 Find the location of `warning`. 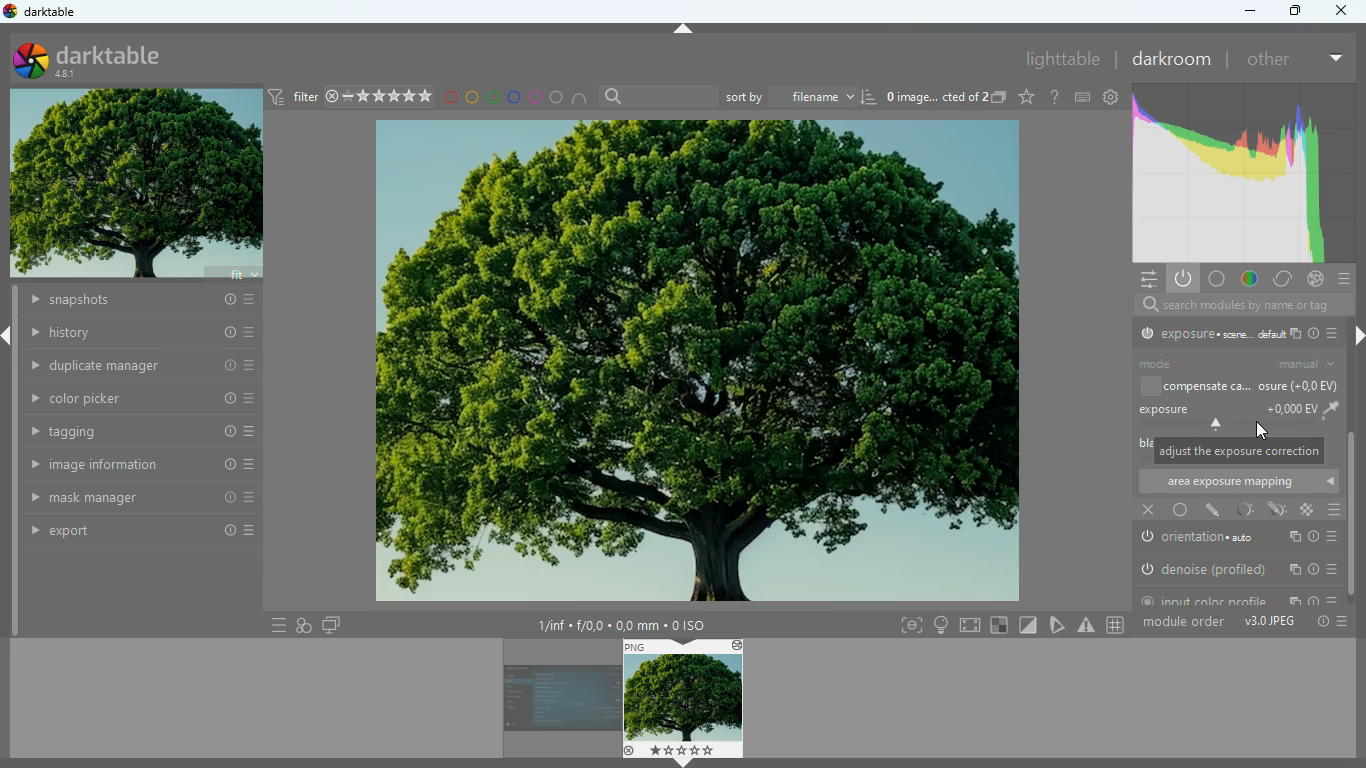

warning is located at coordinates (1086, 623).